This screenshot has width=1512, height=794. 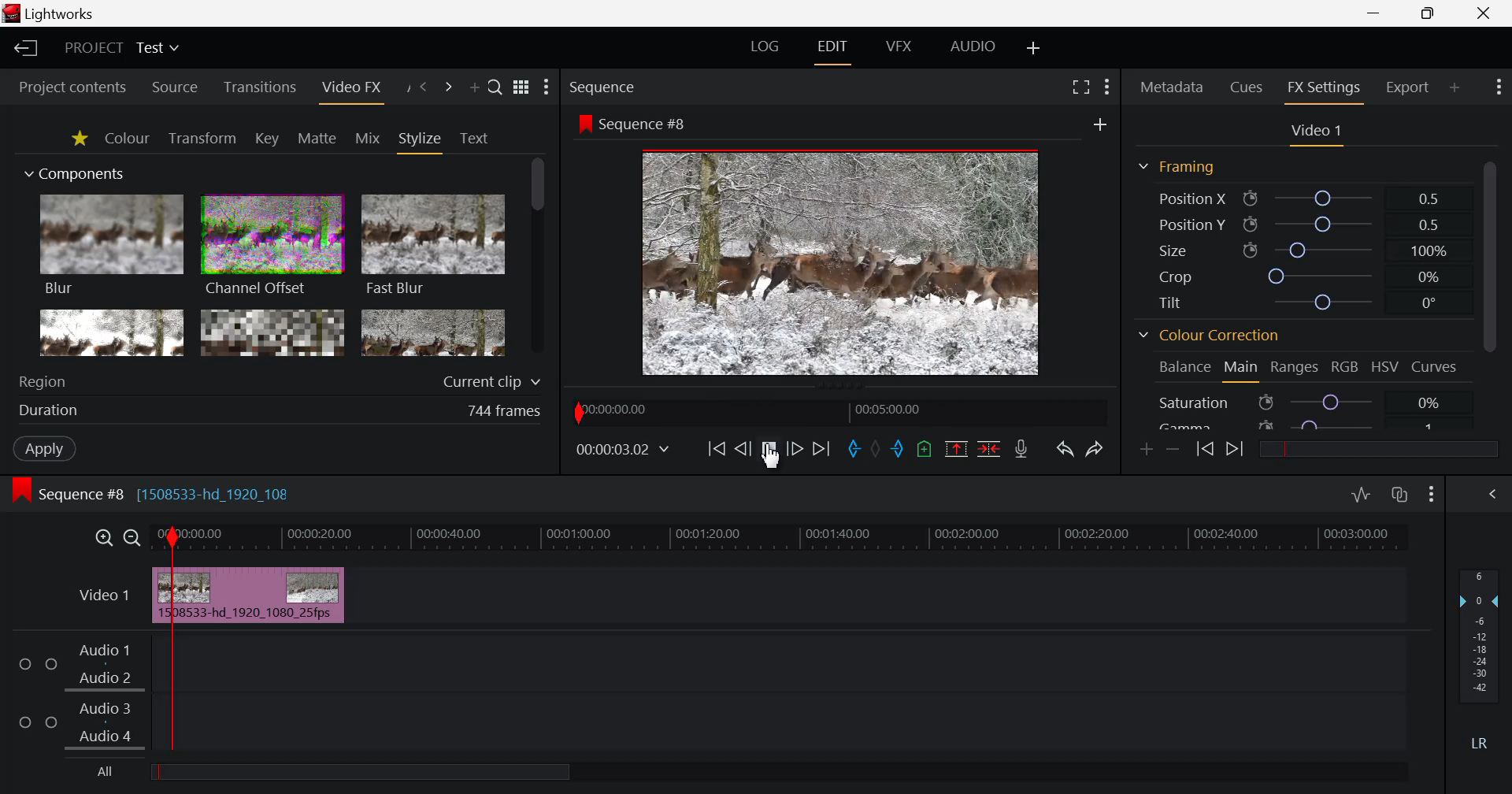 I want to click on Video Settings, so click(x=1314, y=133).